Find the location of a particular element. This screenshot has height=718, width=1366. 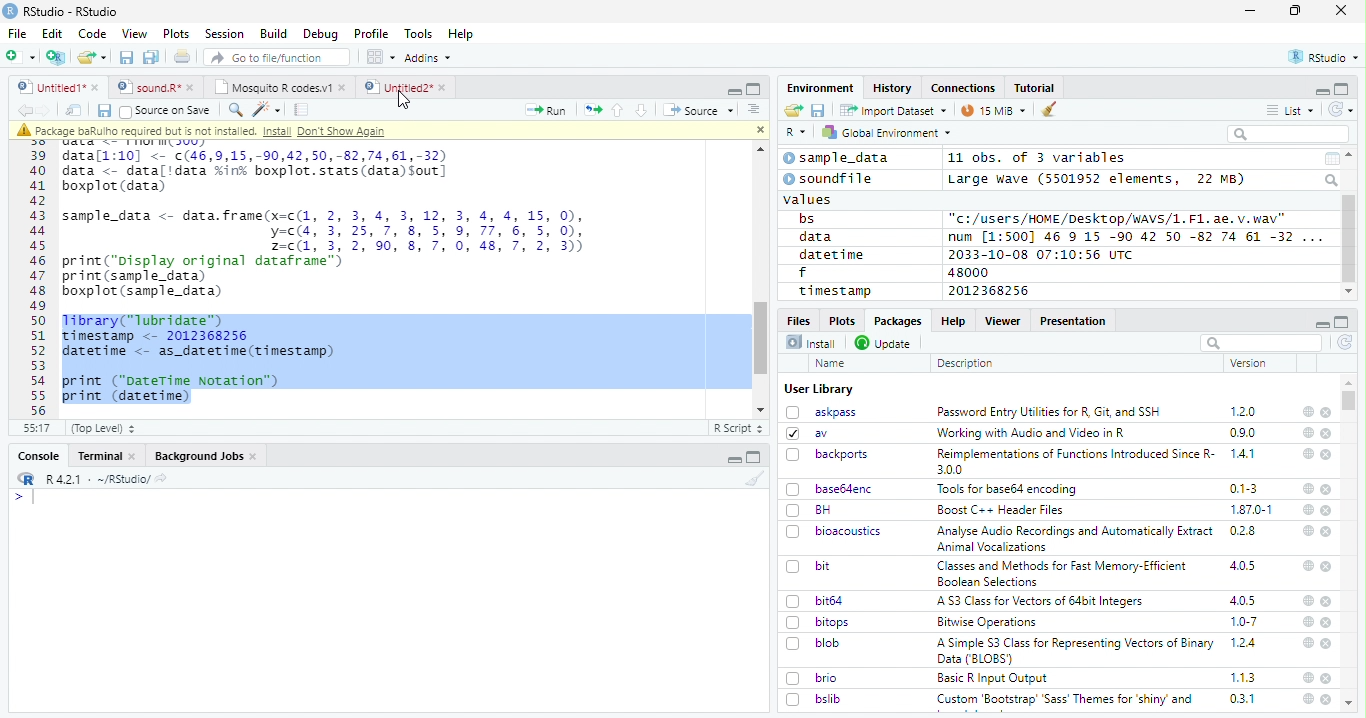

bit is located at coordinates (809, 567).